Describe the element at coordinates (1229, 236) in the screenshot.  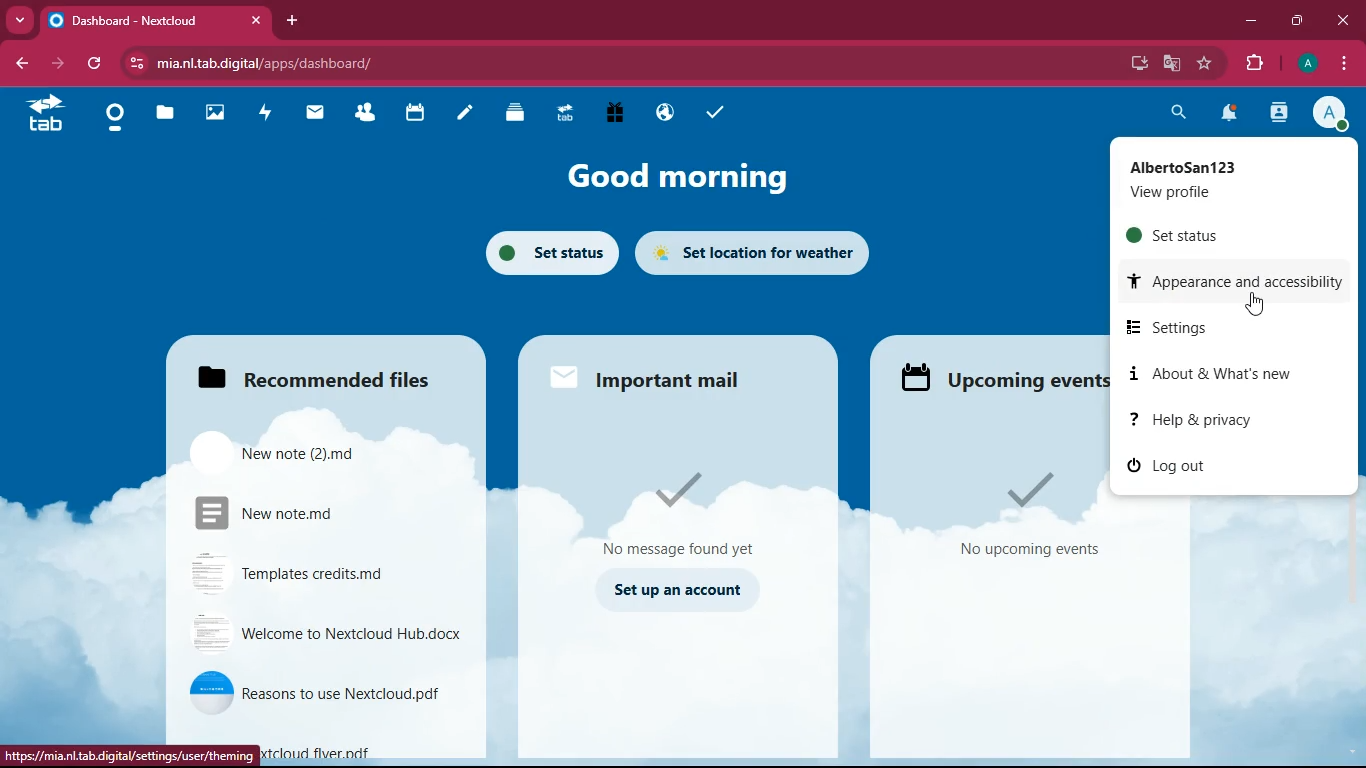
I see `set status` at that location.